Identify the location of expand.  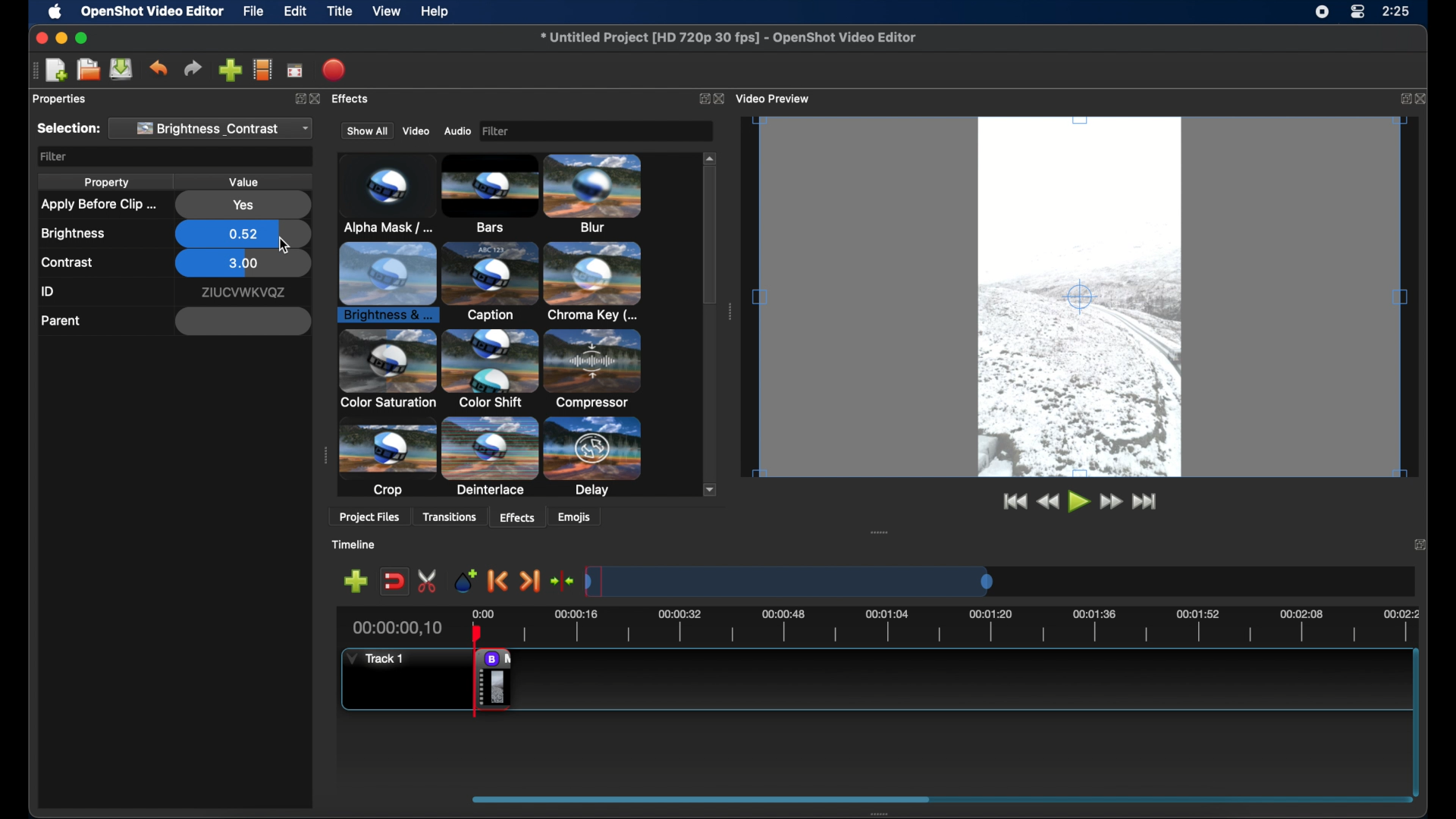
(1403, 99).